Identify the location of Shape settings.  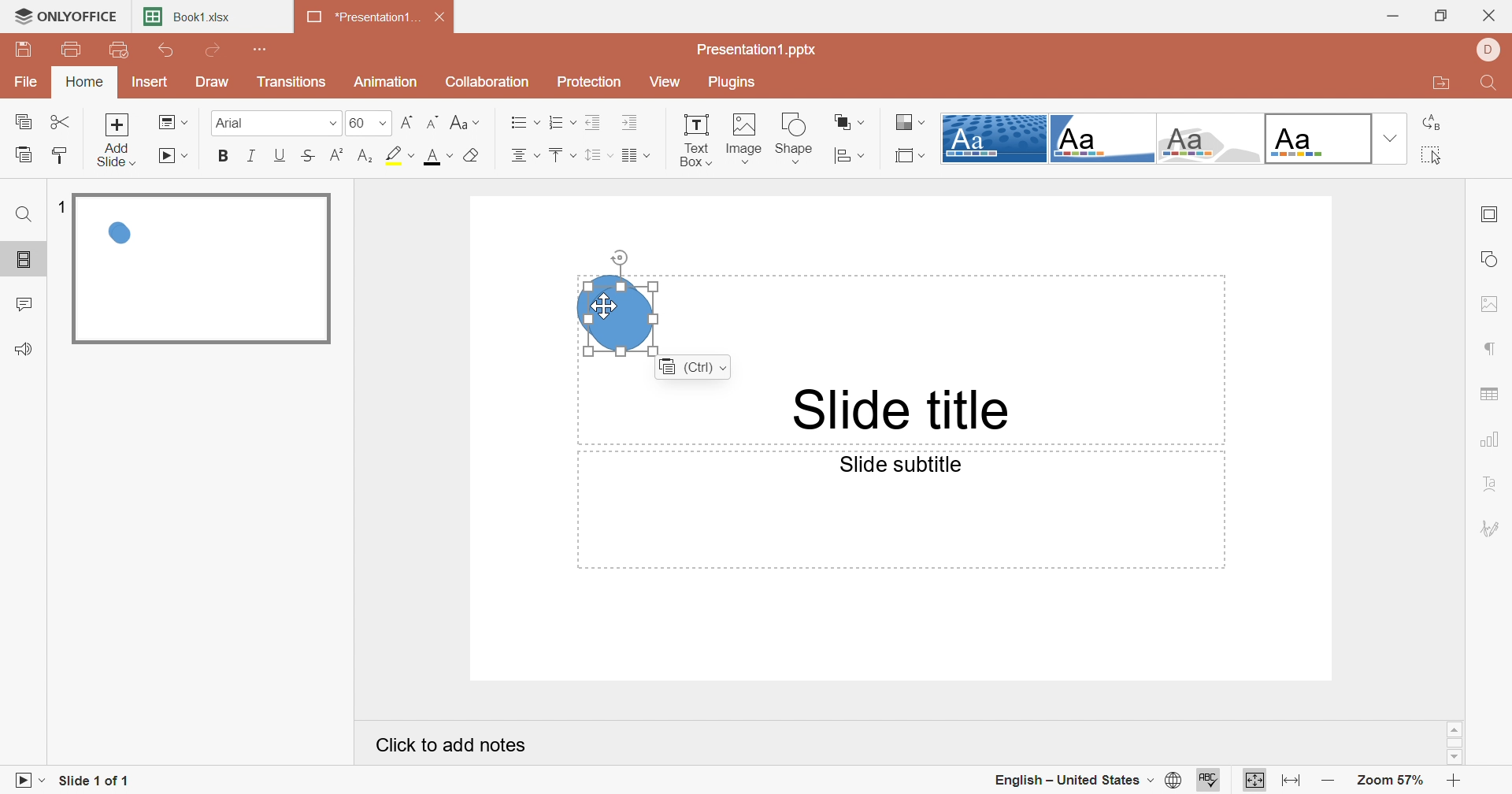
(1492, 258).